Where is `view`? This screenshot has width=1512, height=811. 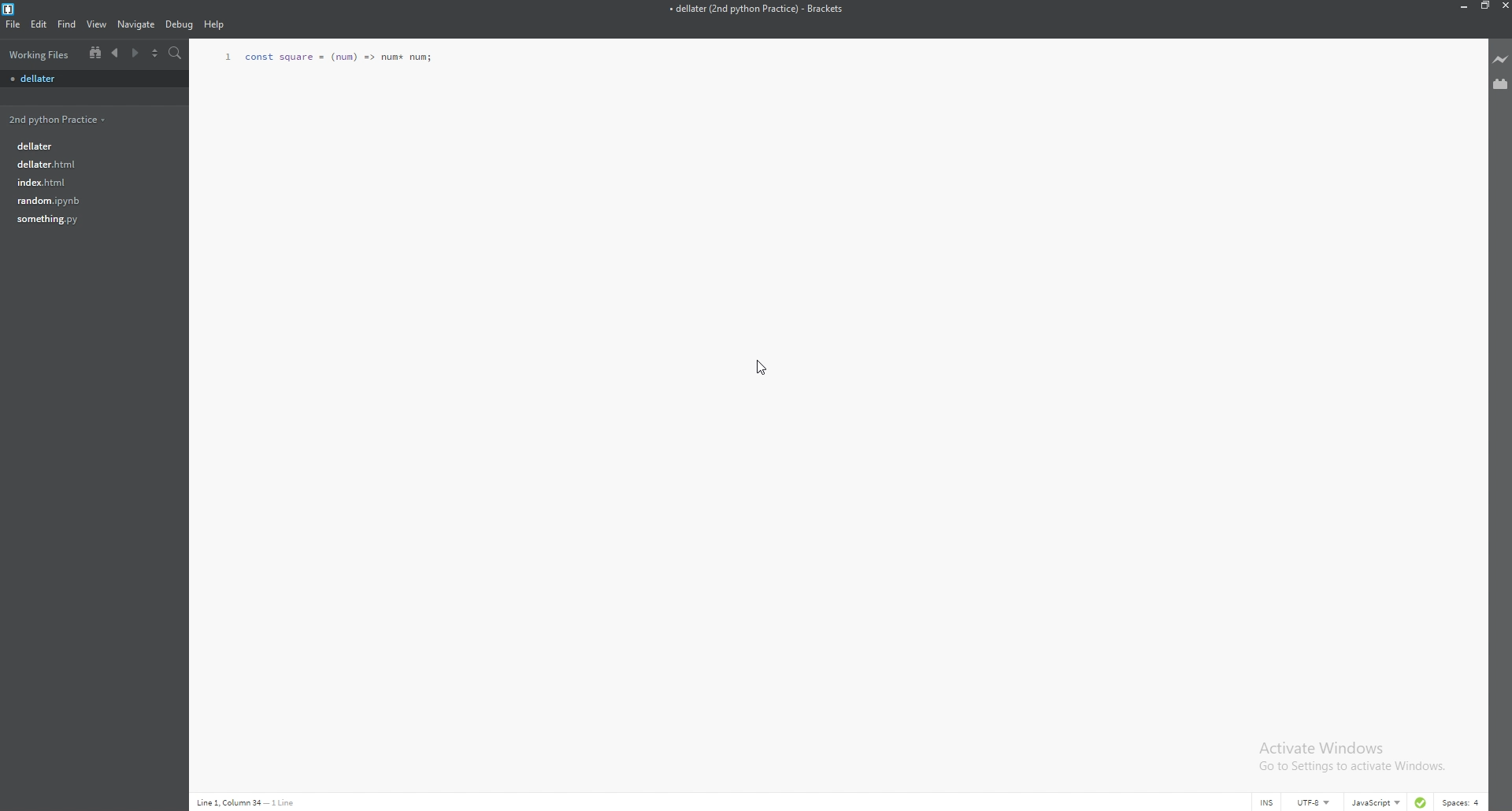
view is located at coordinates (97, 24).